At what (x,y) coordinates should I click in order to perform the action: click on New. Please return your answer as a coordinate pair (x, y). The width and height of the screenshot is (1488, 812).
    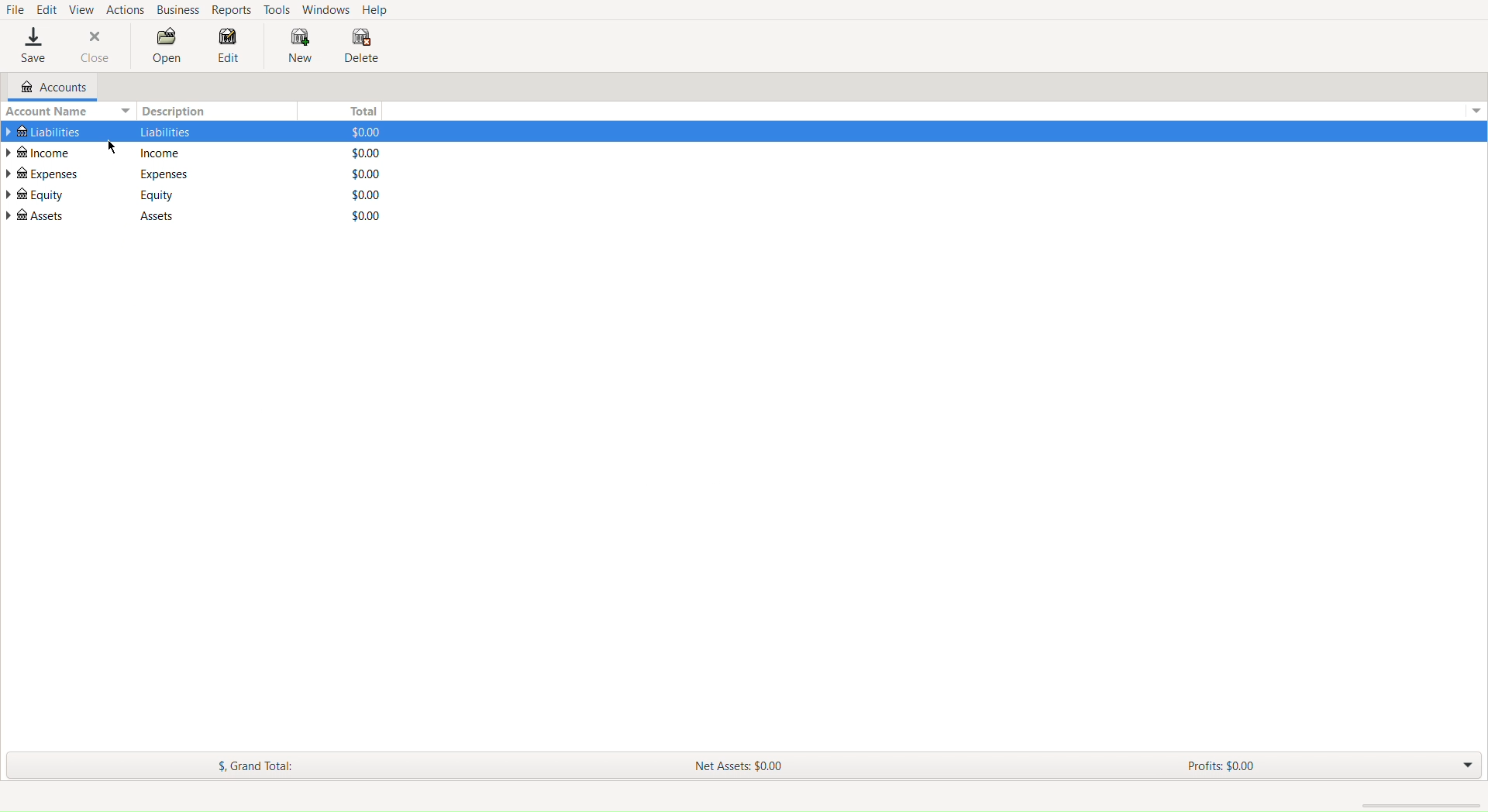
    Looking at the image, I should click on (298, 48).